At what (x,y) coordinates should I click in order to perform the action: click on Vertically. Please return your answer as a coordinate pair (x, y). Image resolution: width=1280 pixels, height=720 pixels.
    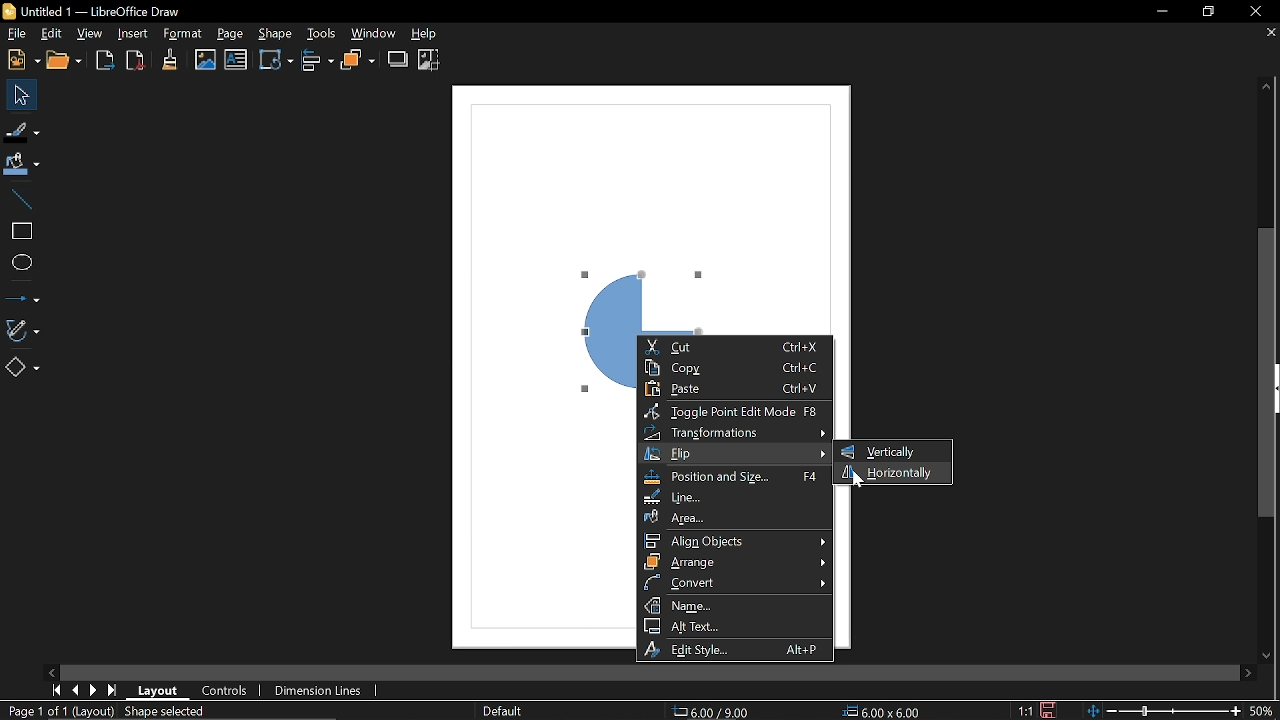
    Looking at the image, I should click on (886, 452).